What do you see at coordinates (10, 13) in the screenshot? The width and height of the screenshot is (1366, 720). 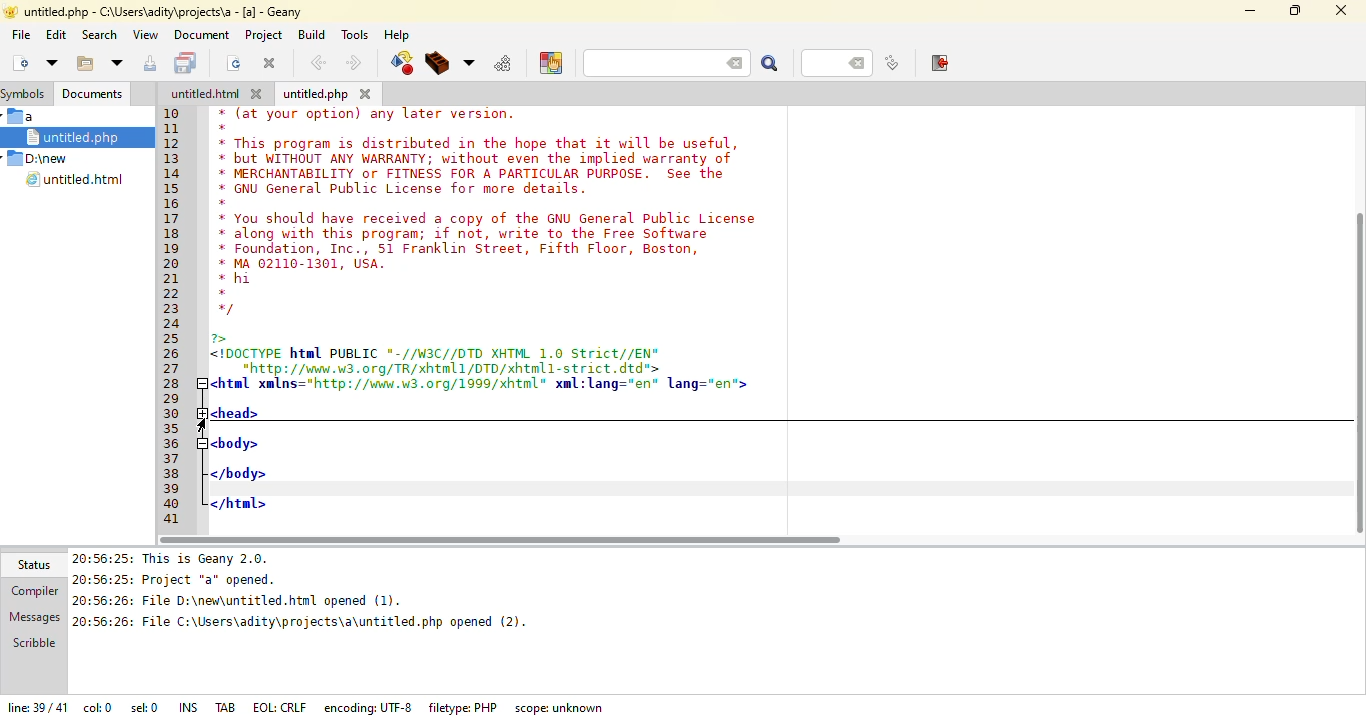 I see `app logo` at bounding box center [10, 13].